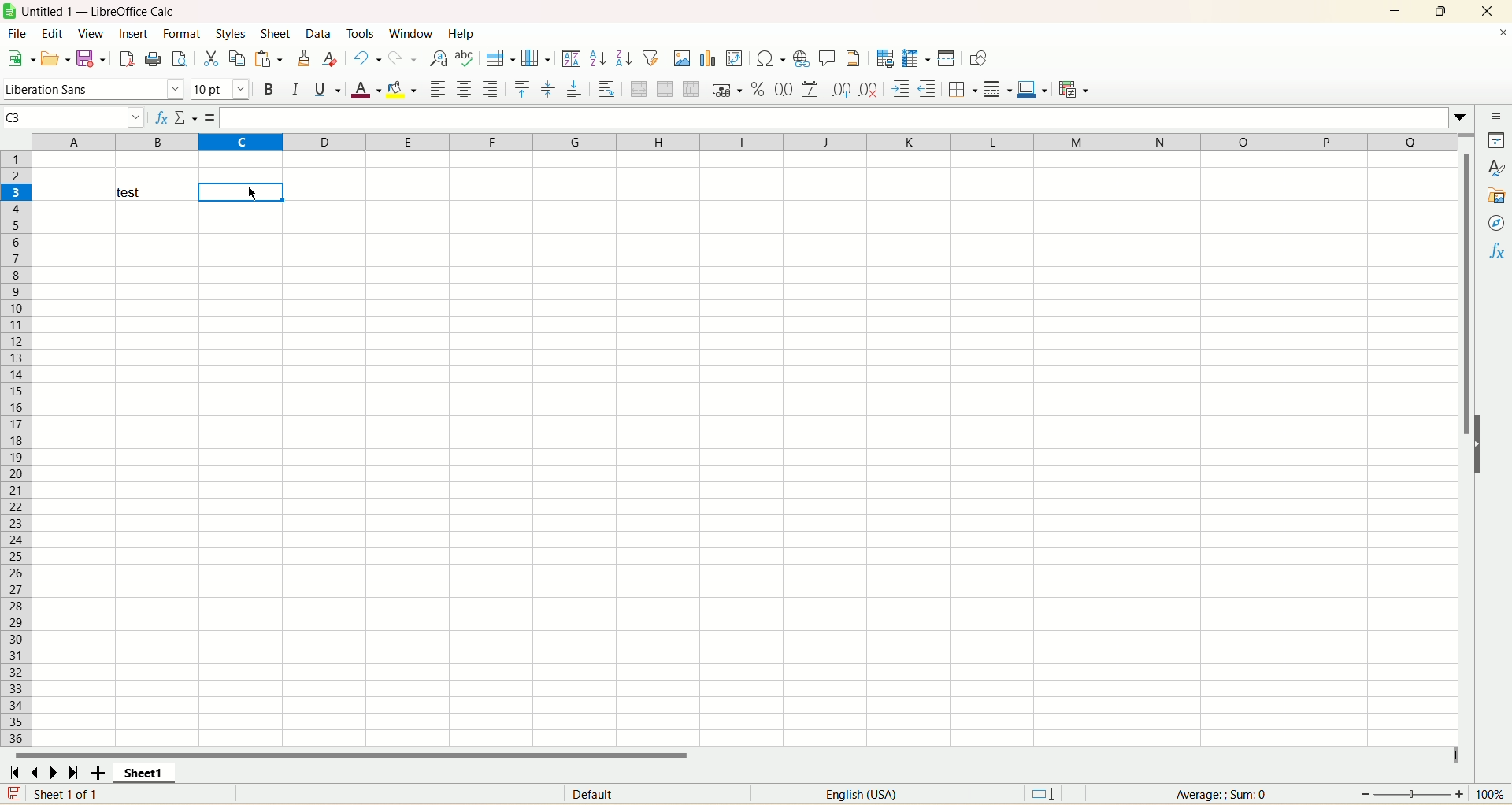  Describe the element at coordinates (1501, 33) in the screenshot. I see `close document` at that location.